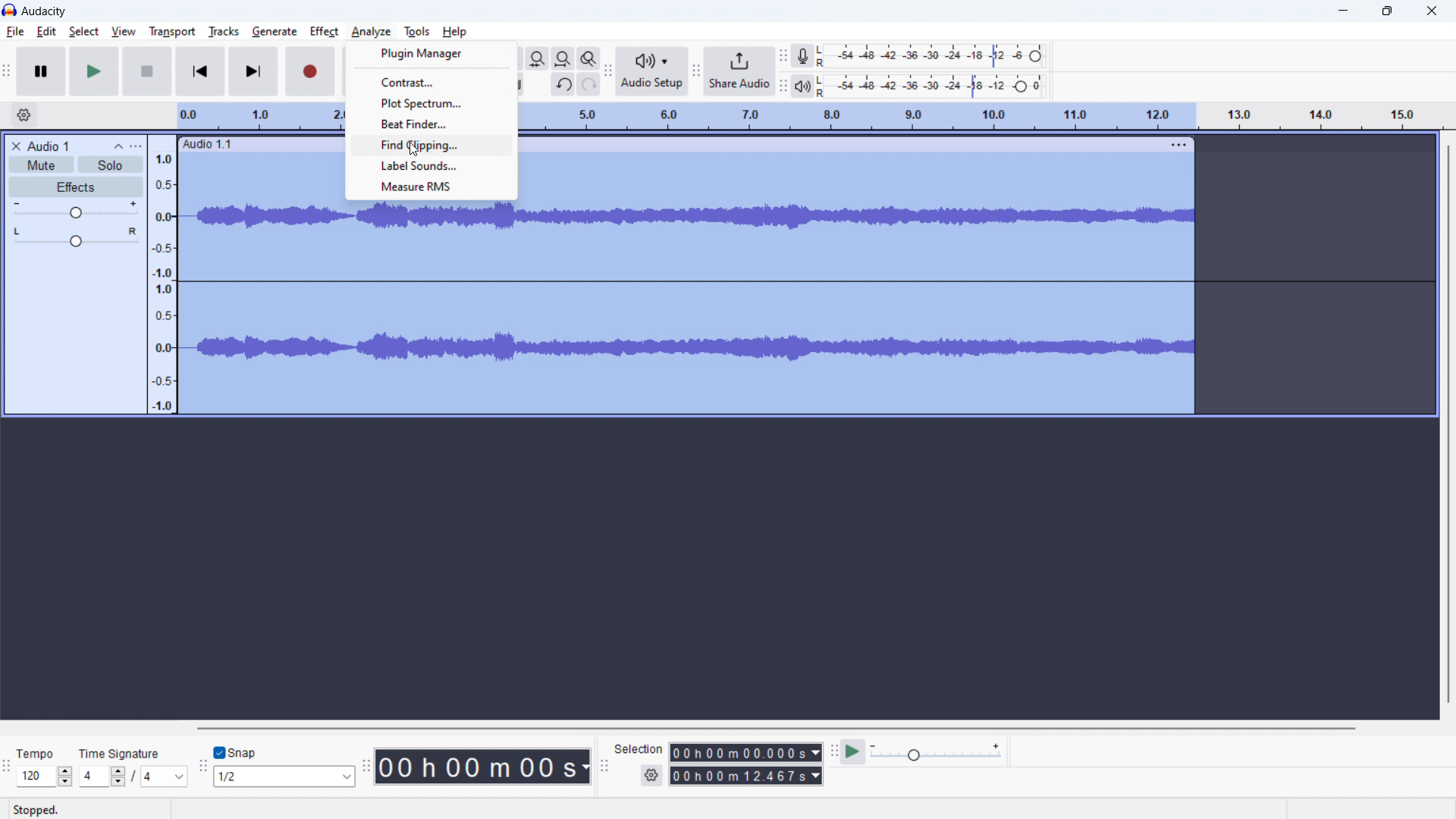 The image size is (1456, 819). Describe the element at coordinates (1341, 11) in the screenshot. I see `minimize` at that location.